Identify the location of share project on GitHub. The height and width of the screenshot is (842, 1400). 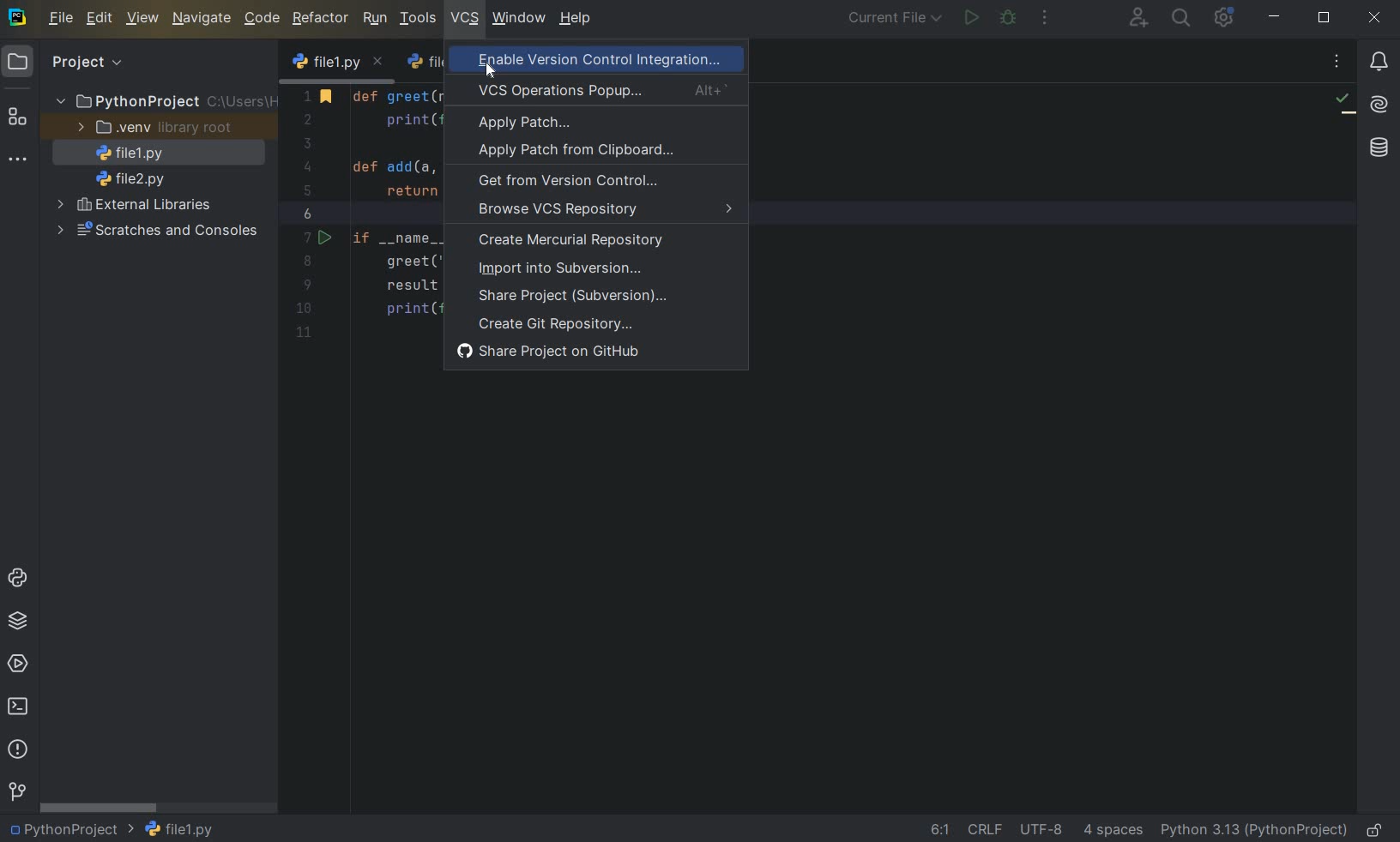
(555, 352).